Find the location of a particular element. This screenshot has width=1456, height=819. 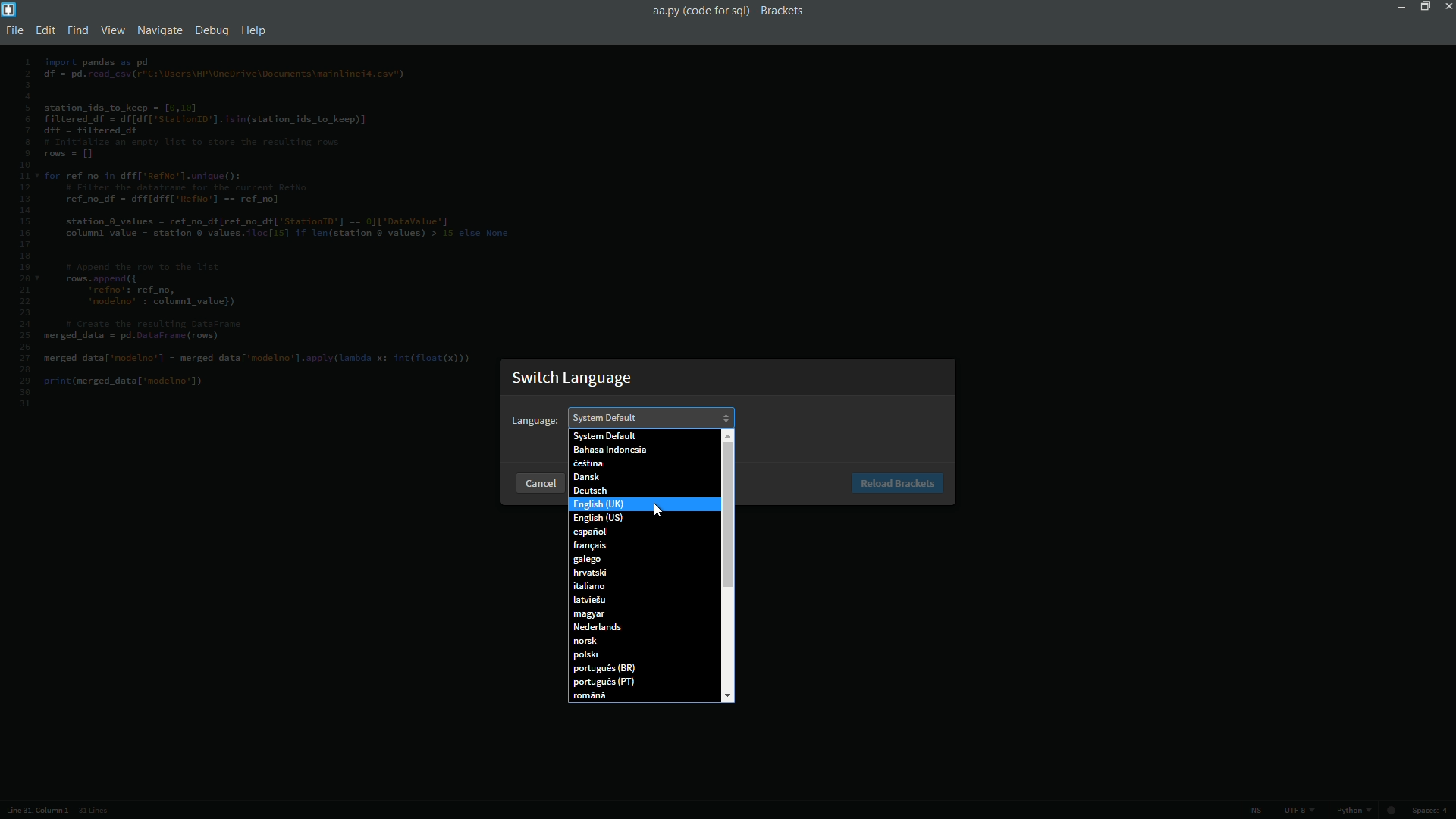

app name is located at coordinates (782, 10).